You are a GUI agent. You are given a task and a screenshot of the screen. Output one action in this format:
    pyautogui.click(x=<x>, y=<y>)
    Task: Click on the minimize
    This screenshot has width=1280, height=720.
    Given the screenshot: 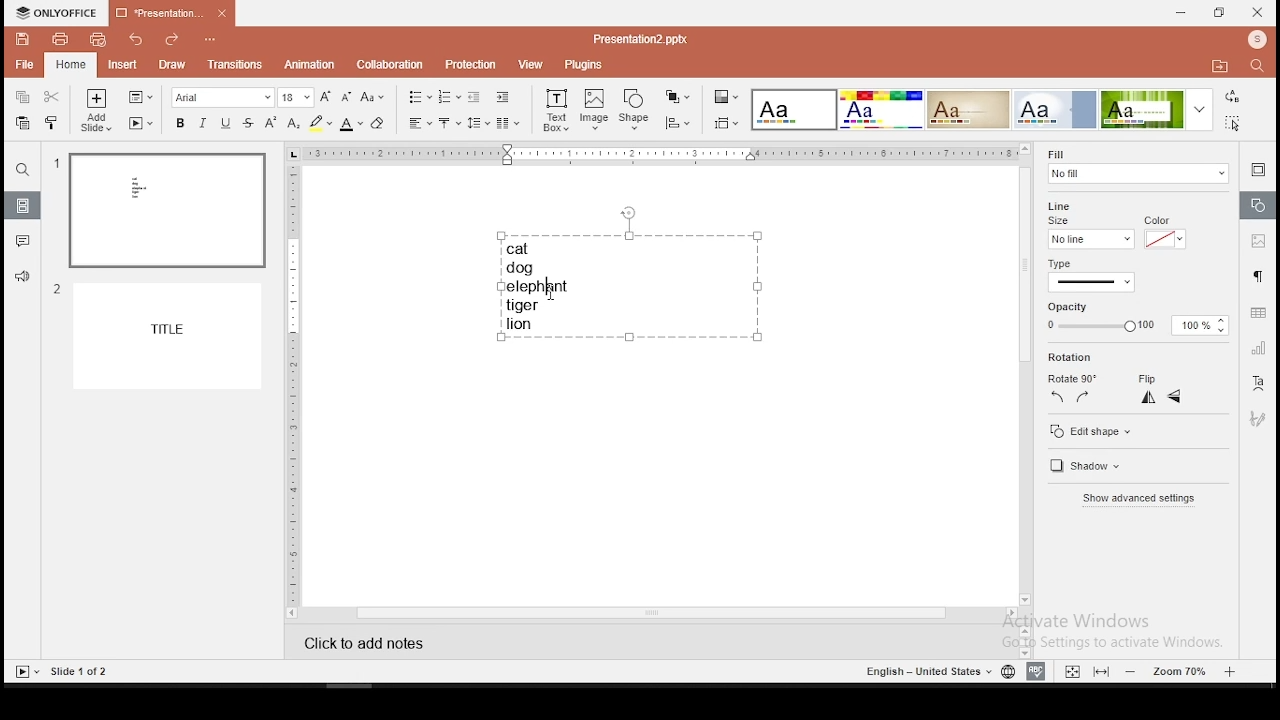 What is the action you would take?
    pyautogui.click(x=1182, y=13)
    